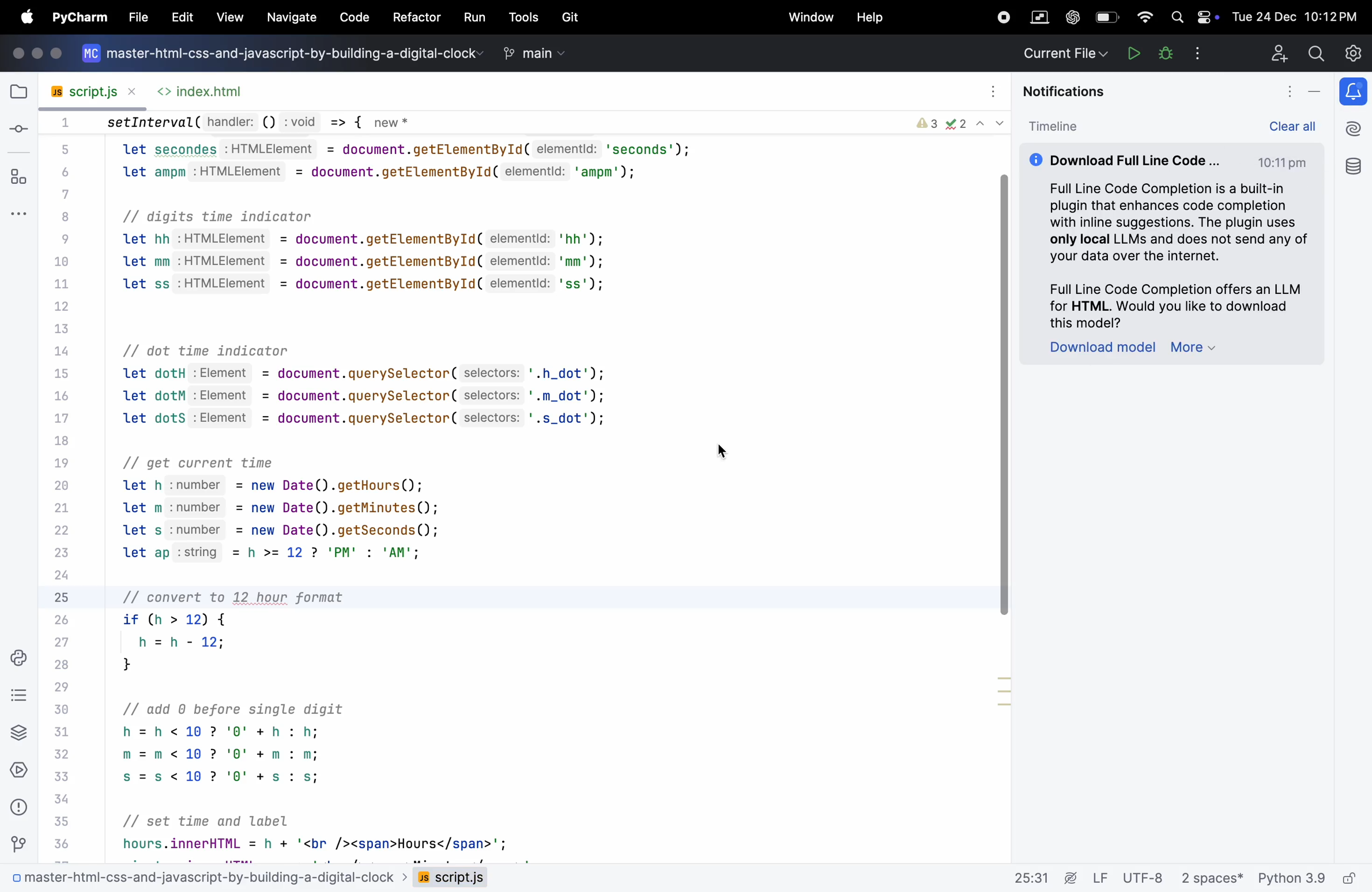 This screenshot has height=892, width=1372. I want to click on Git, so click(575, 17).